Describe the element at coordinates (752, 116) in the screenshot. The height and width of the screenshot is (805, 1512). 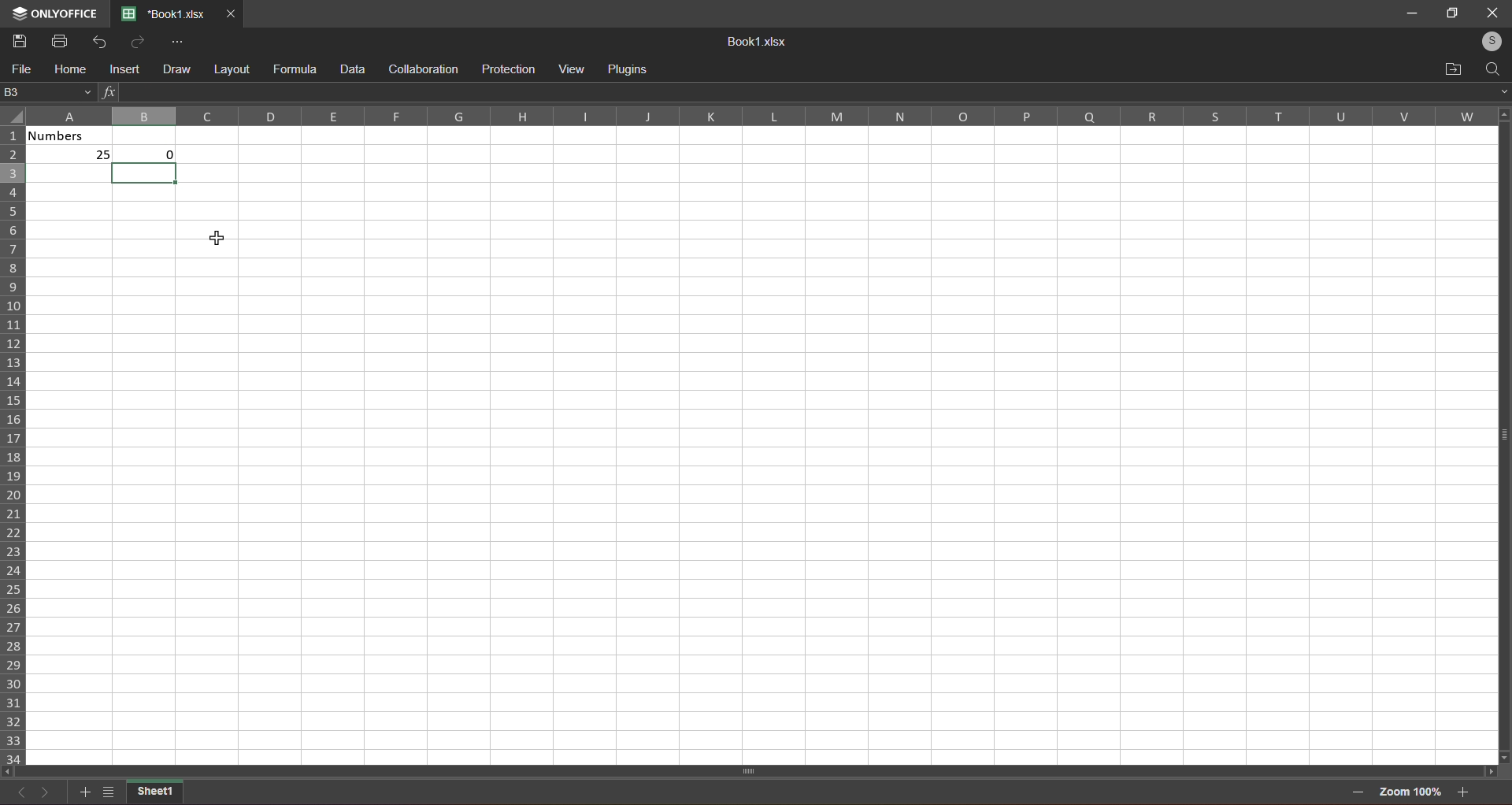
I see `Column Label` at that location.